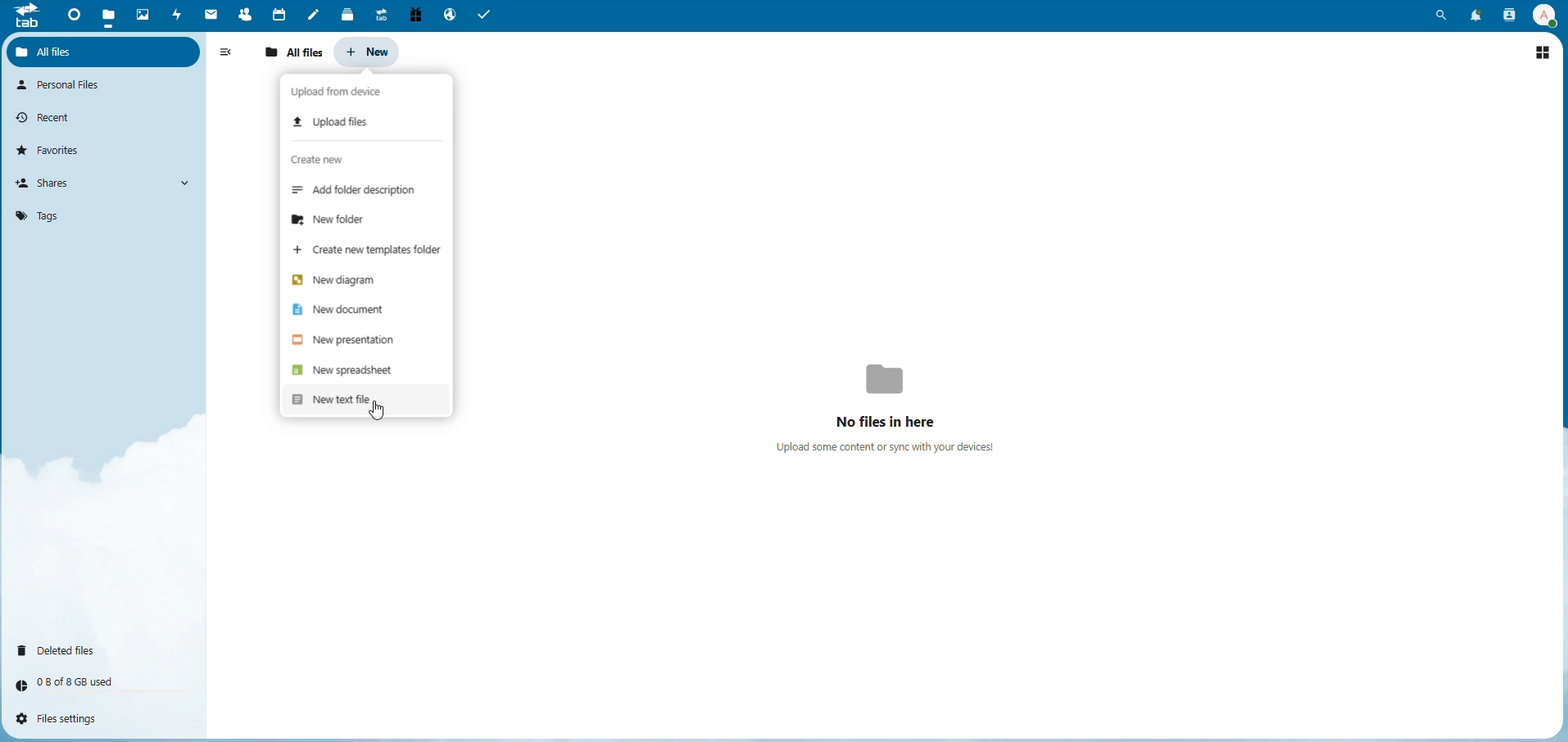 The height and width of the screenshot is (742, 1568). I want to click on Tags, so click(37, 215).